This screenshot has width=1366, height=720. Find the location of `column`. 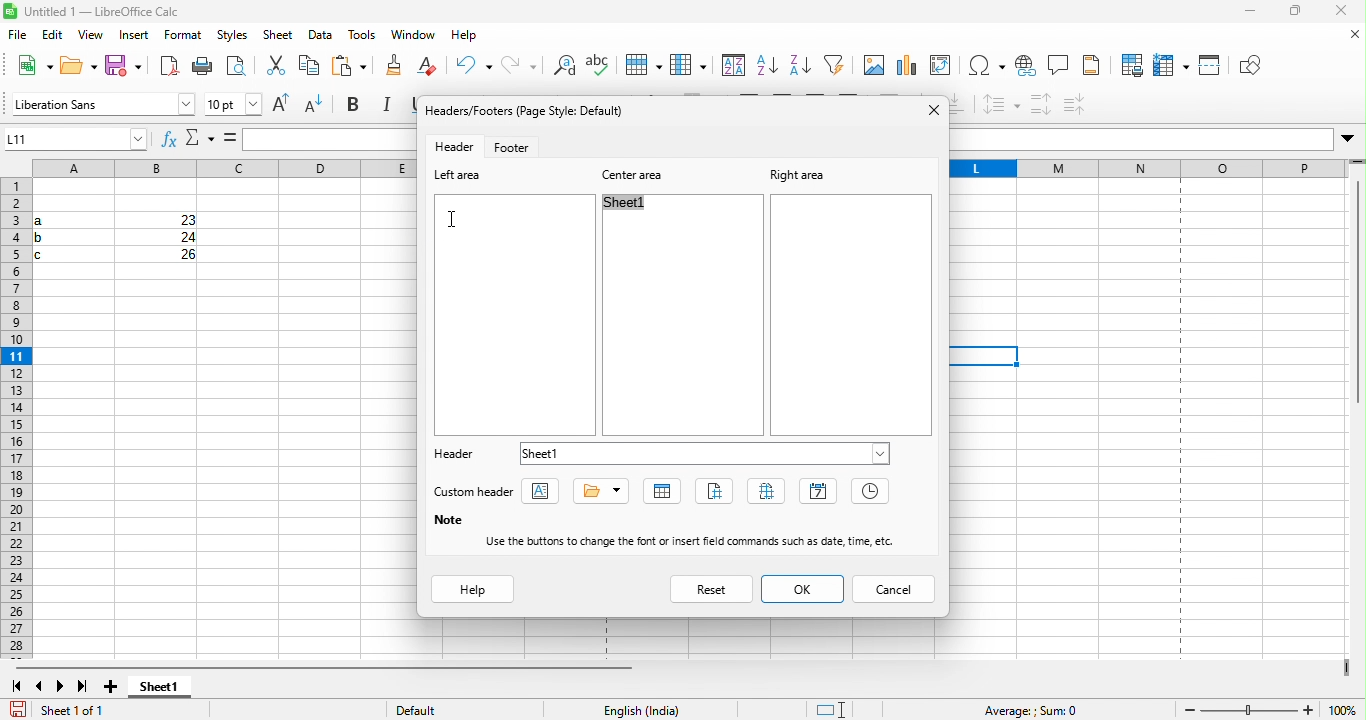

column is located at coordinates (640, 66).